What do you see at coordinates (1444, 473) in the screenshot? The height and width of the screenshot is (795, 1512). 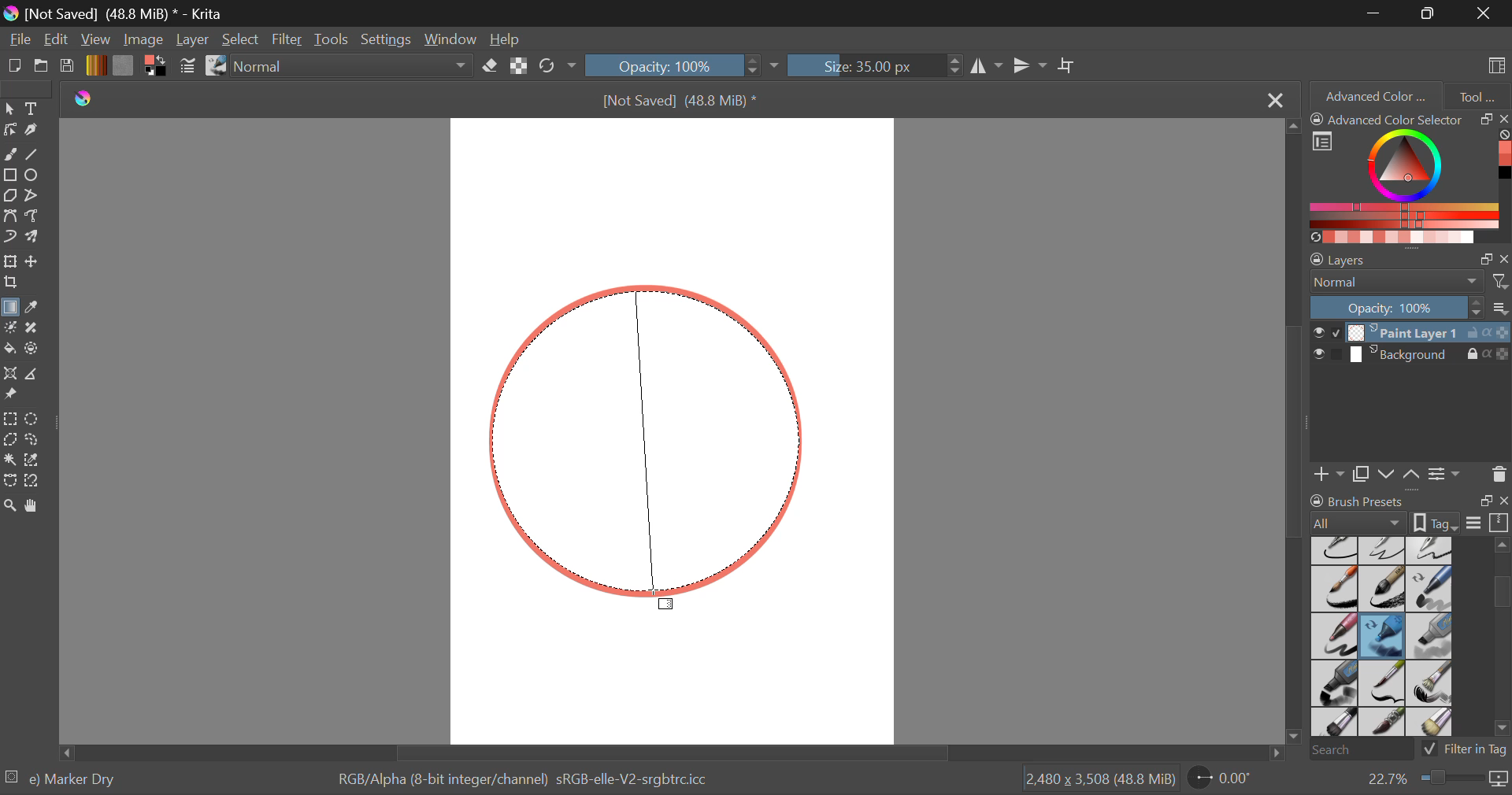 I see `Settings` at bounding box center [1444, 473].